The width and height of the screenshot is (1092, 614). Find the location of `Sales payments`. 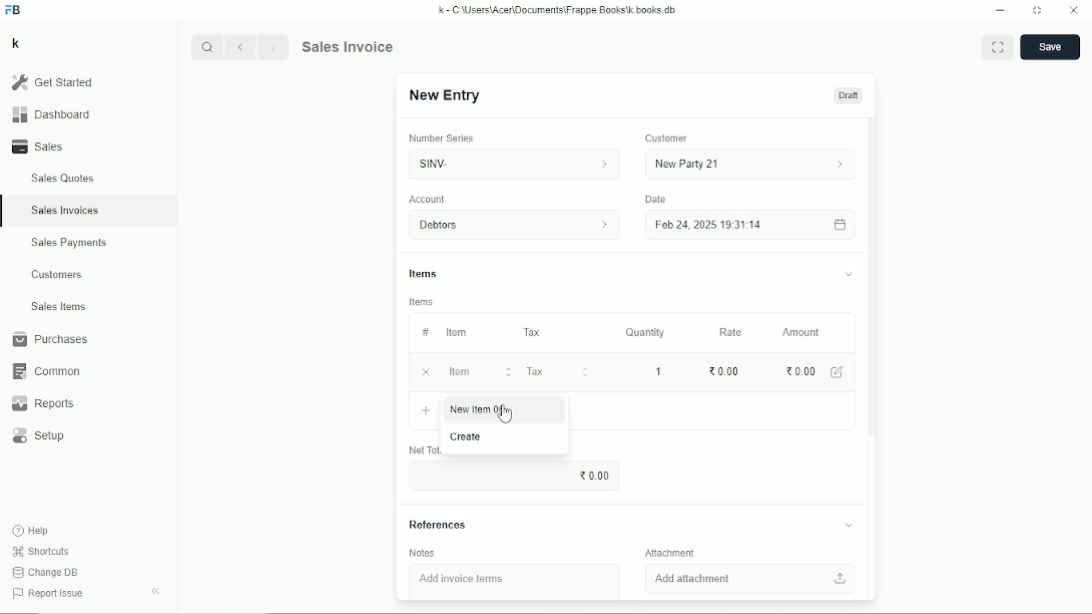

Sales payments is located at coordinates (72, 243).